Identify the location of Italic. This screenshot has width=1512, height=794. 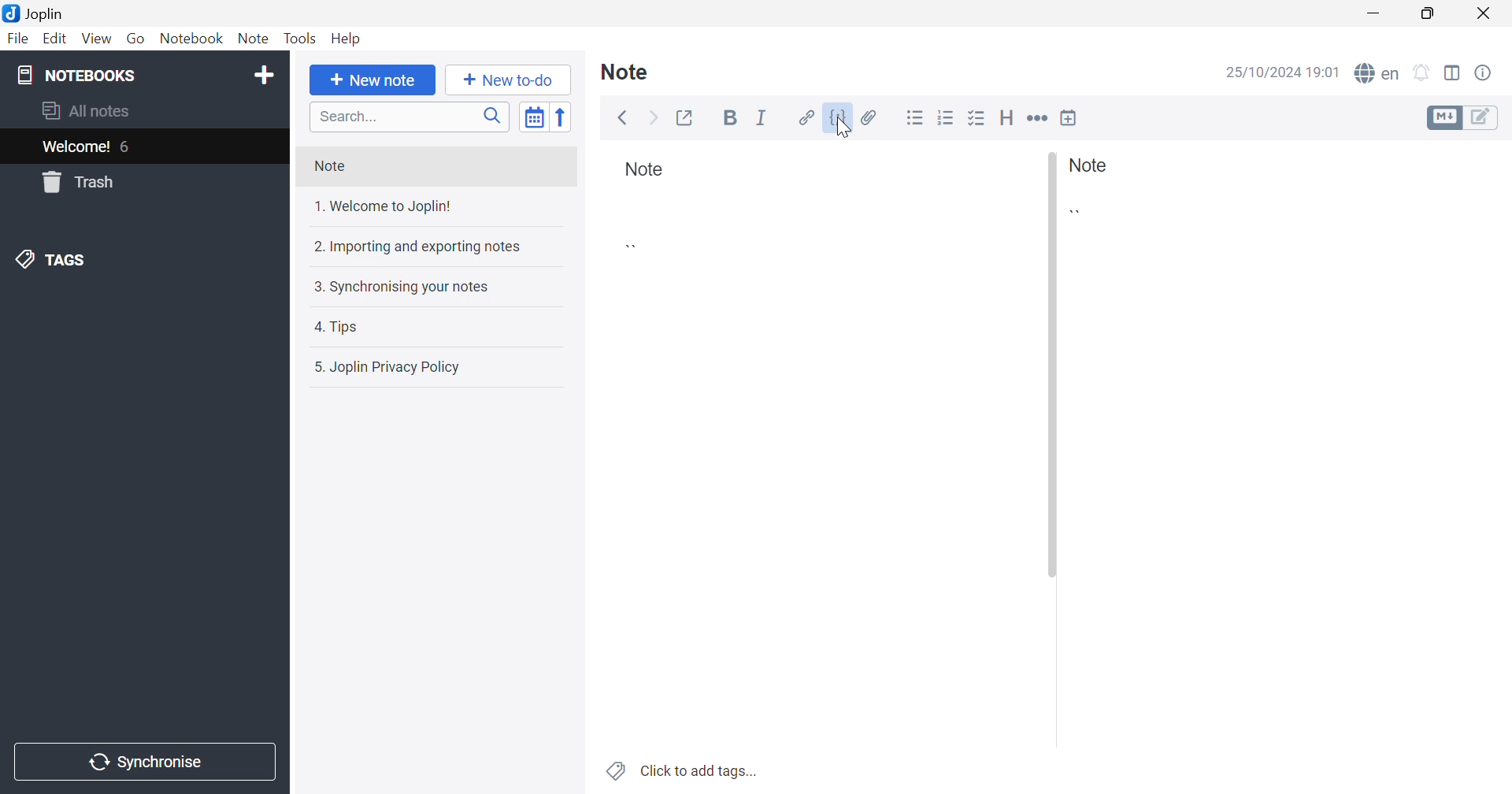
(764, 118).